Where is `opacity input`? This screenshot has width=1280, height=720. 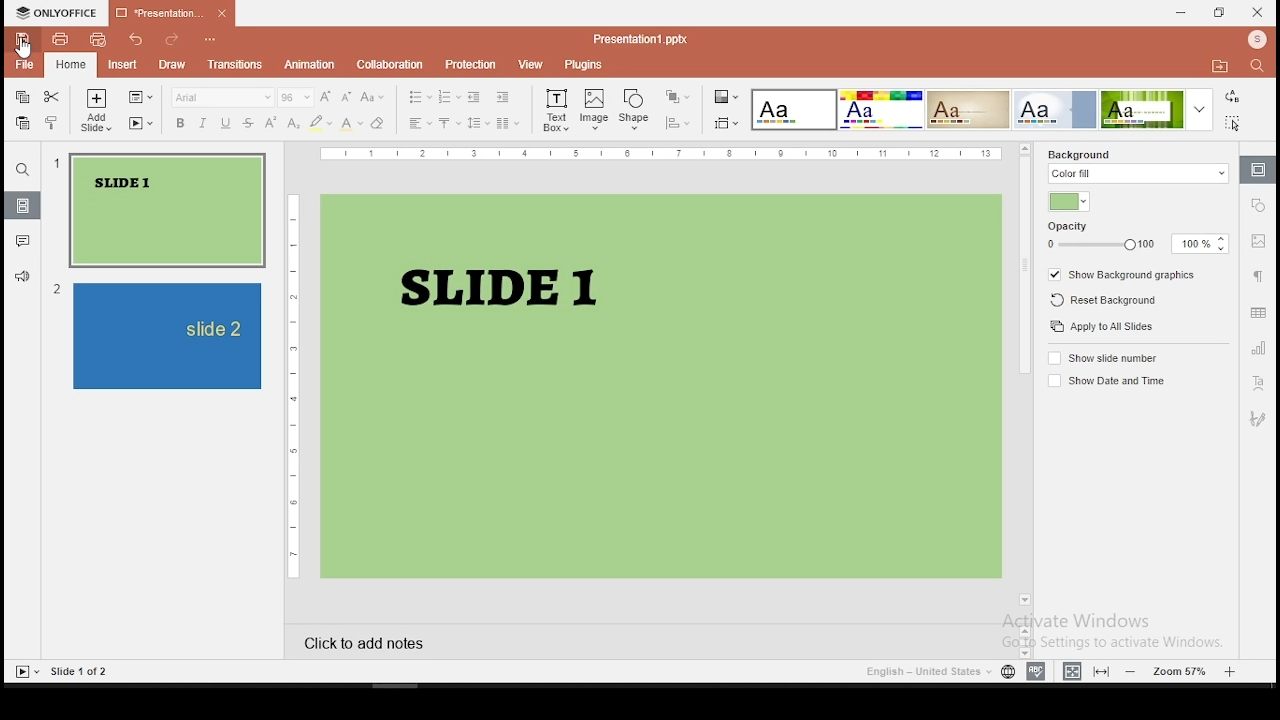 opacity input is located at coordinates (1201, 245).